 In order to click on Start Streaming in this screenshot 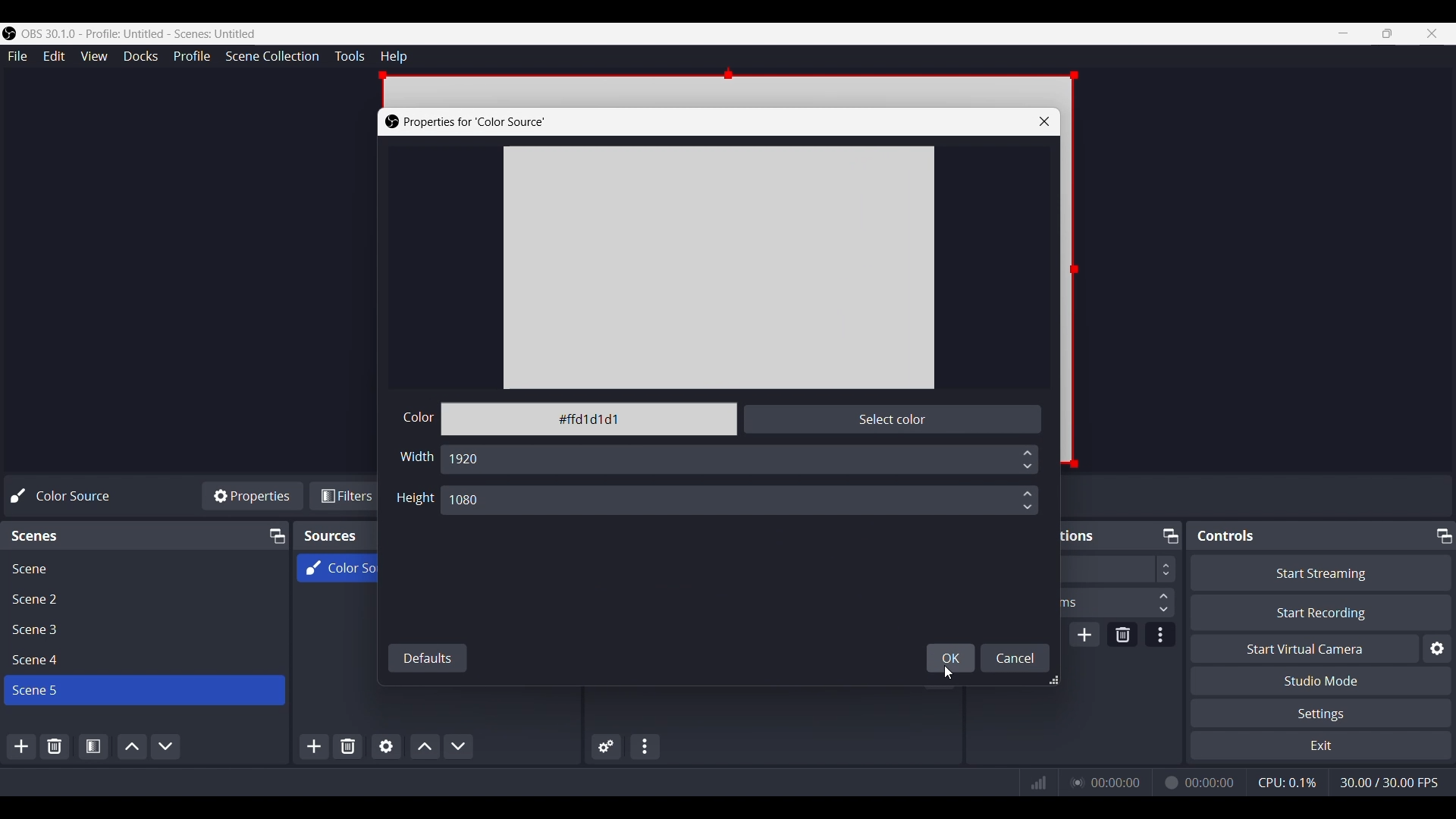, I will do `click(1319, 571)`.